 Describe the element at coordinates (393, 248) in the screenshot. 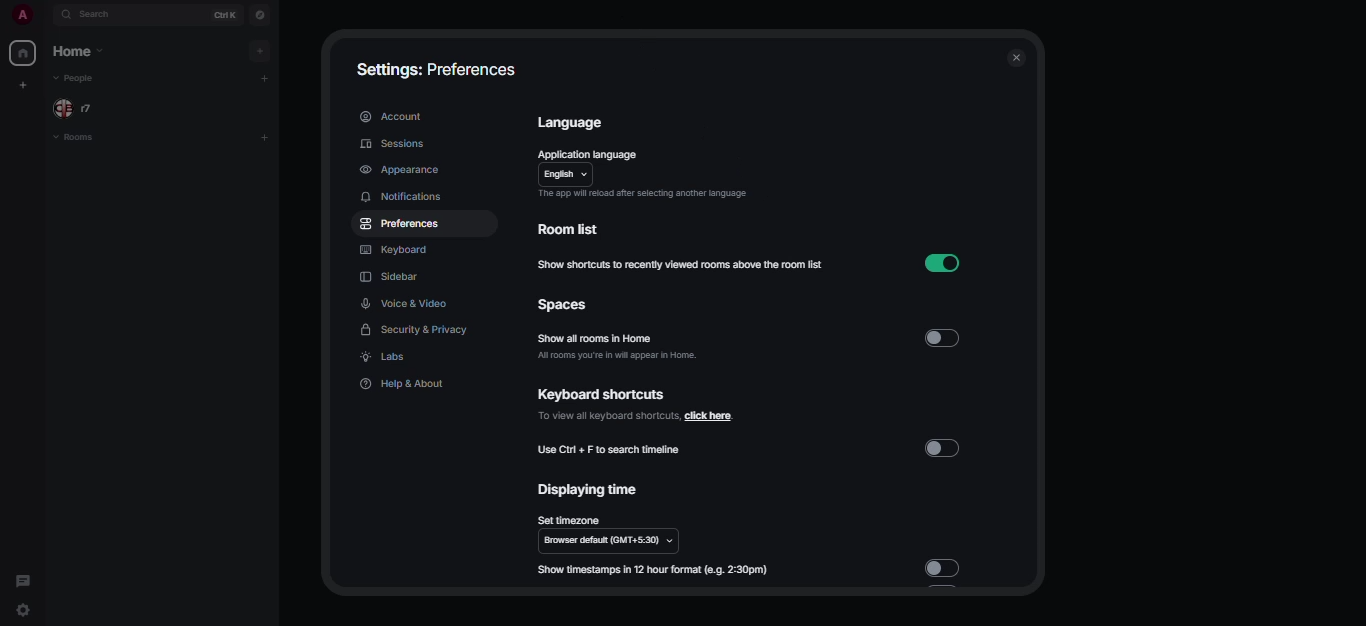

I see `keyboard` at that location.